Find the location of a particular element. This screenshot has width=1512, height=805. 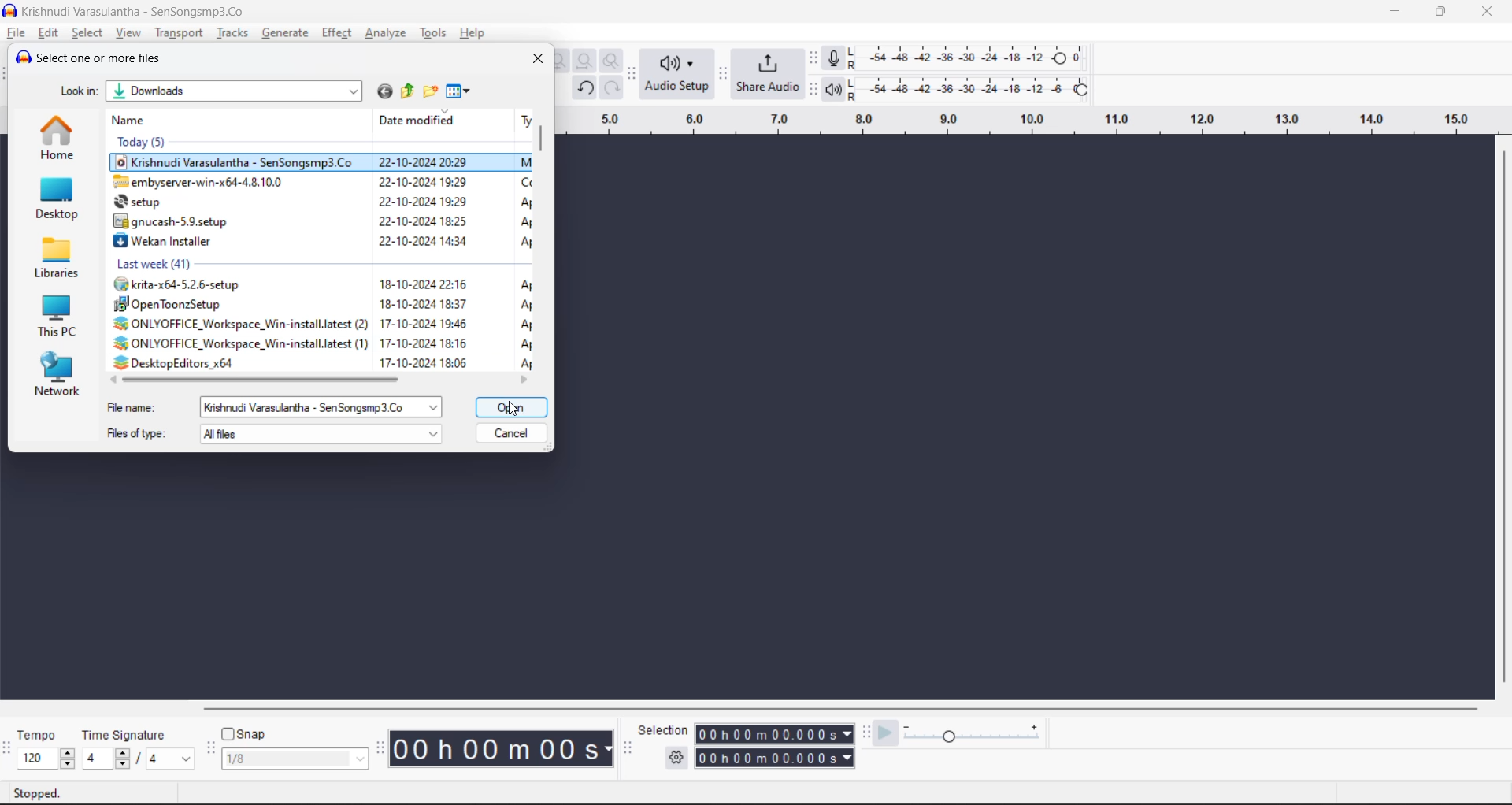

close is located at coordinates (1487, 12).